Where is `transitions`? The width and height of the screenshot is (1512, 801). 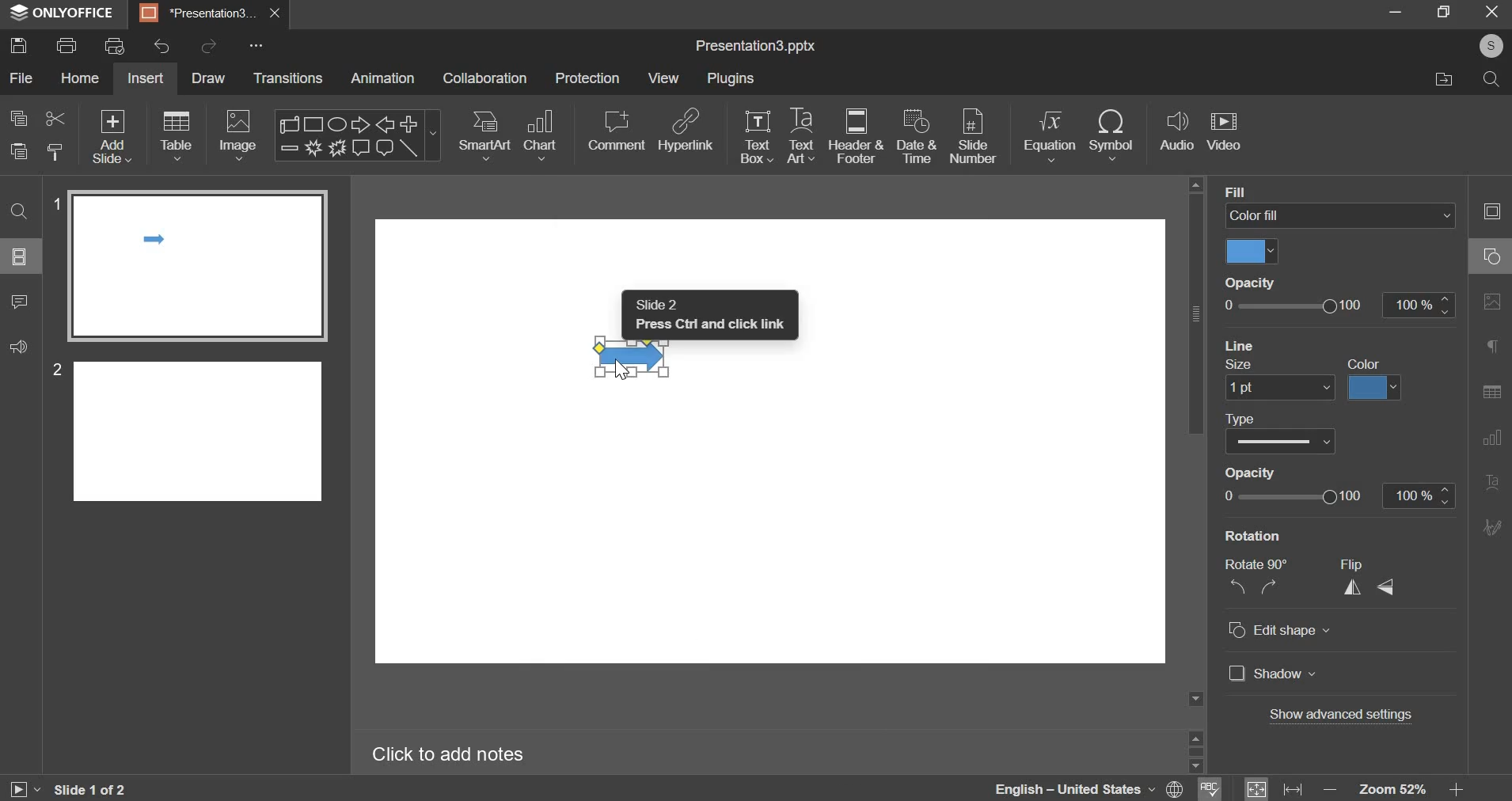
transitions is located at coordinates (288, 78).